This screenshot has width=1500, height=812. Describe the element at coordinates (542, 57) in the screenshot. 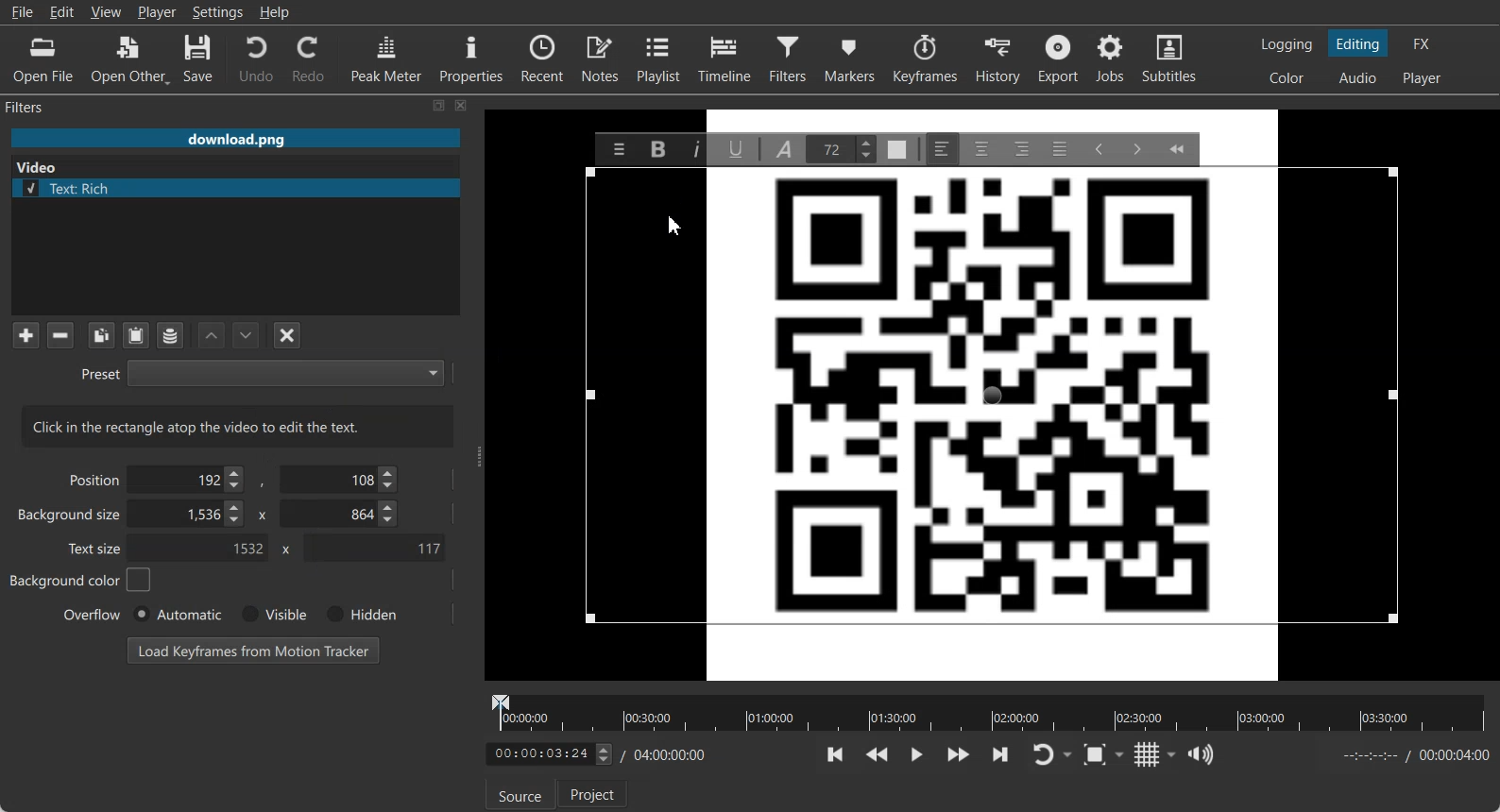

I see `Recent` at that location.